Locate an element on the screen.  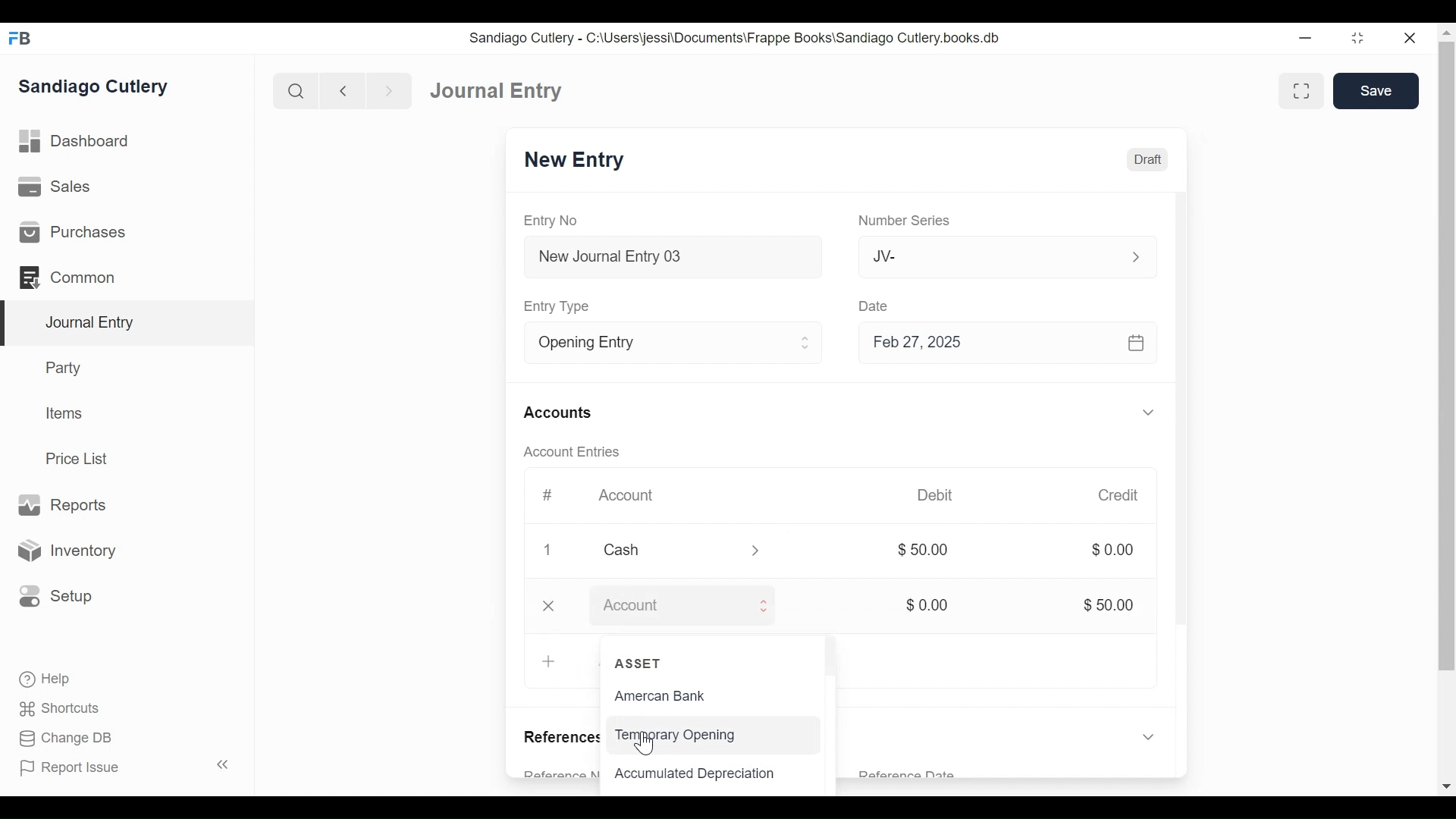
Purchases is located at coordinates (75, 232).